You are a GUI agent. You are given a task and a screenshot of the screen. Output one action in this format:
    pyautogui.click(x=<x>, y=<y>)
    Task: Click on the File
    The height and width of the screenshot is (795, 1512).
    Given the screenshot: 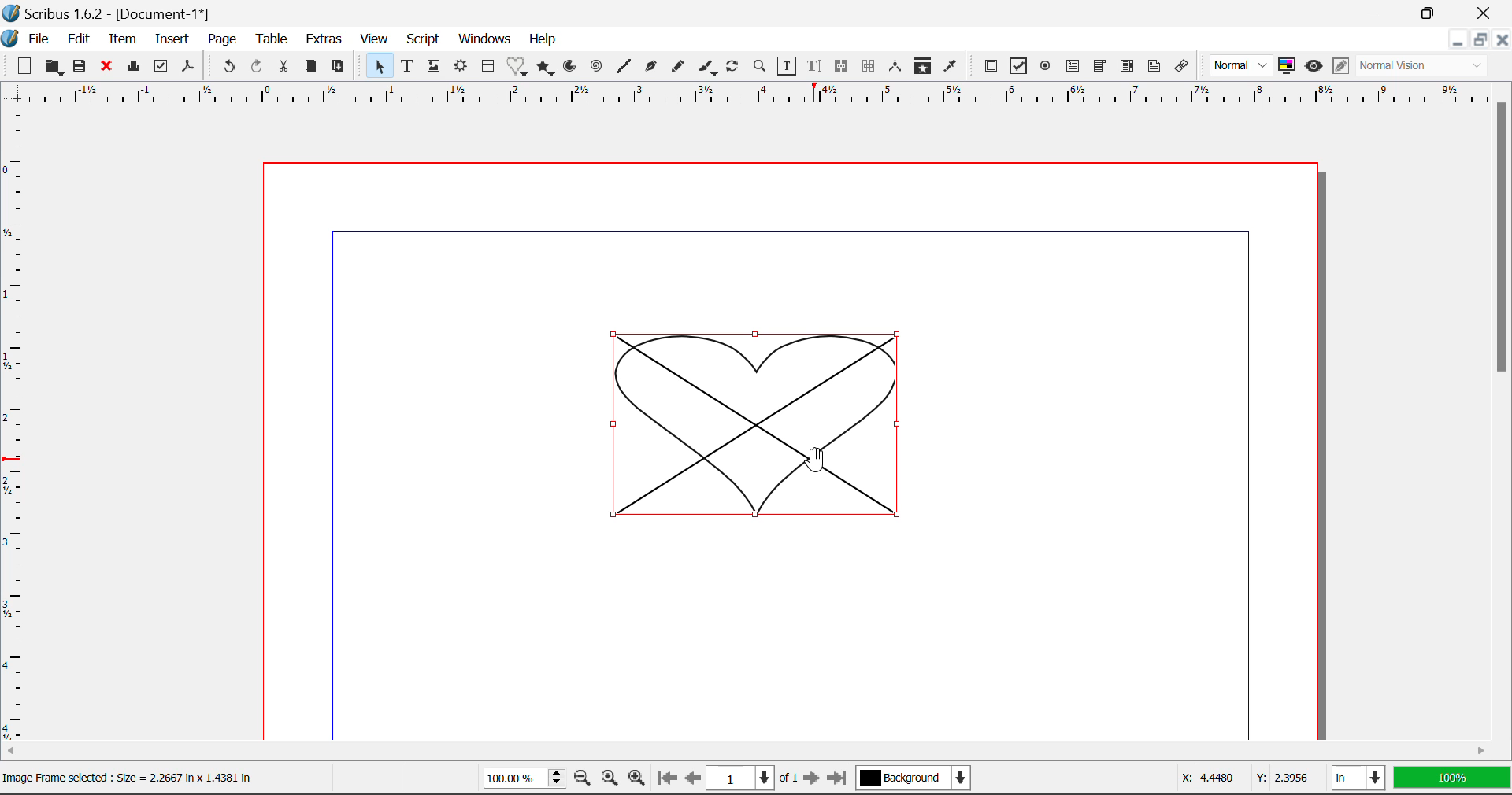 What is the action you would take?
    pyautogui.click(x=39, y=39)
    